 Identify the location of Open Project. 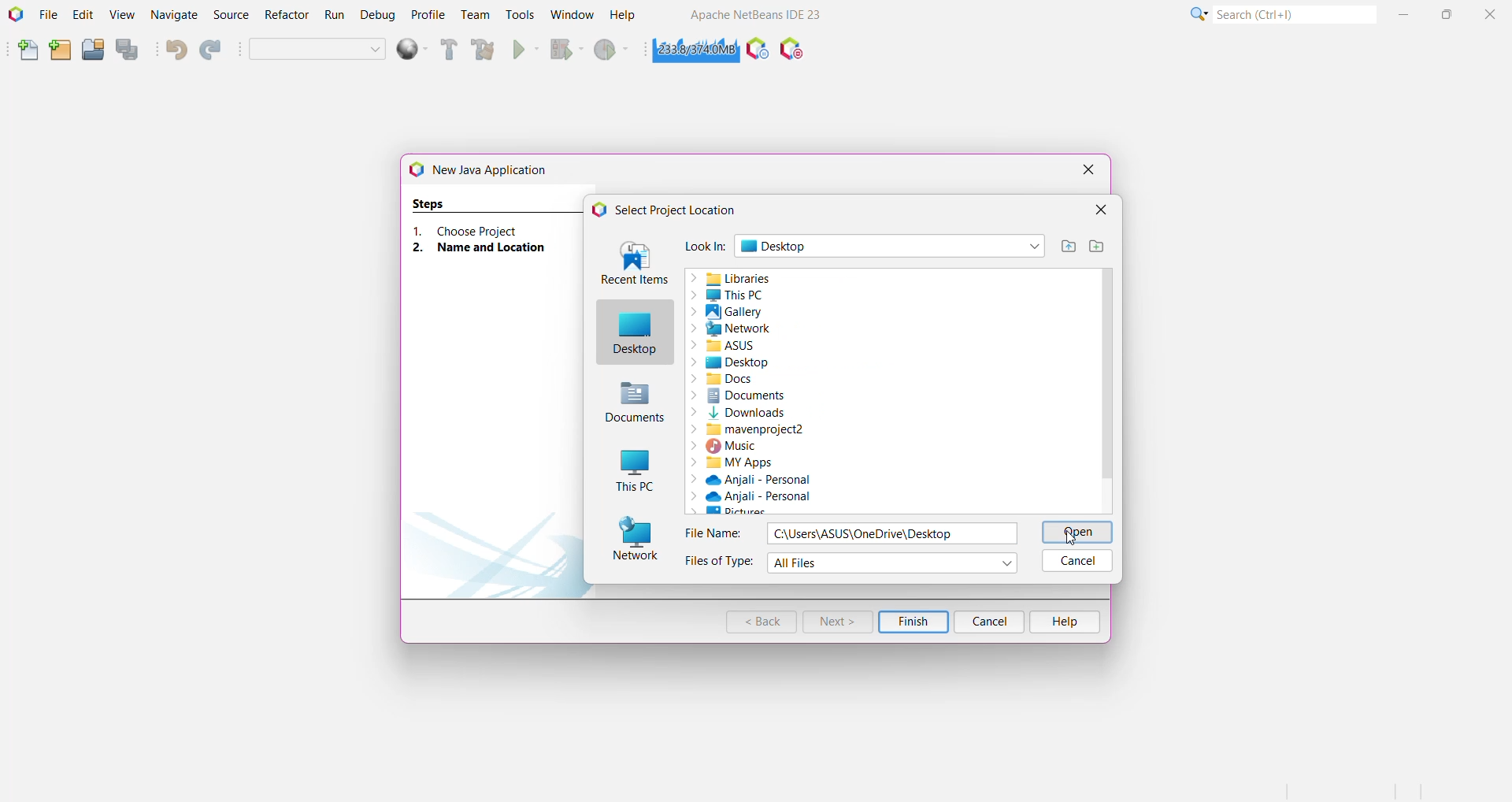
(92, 51).